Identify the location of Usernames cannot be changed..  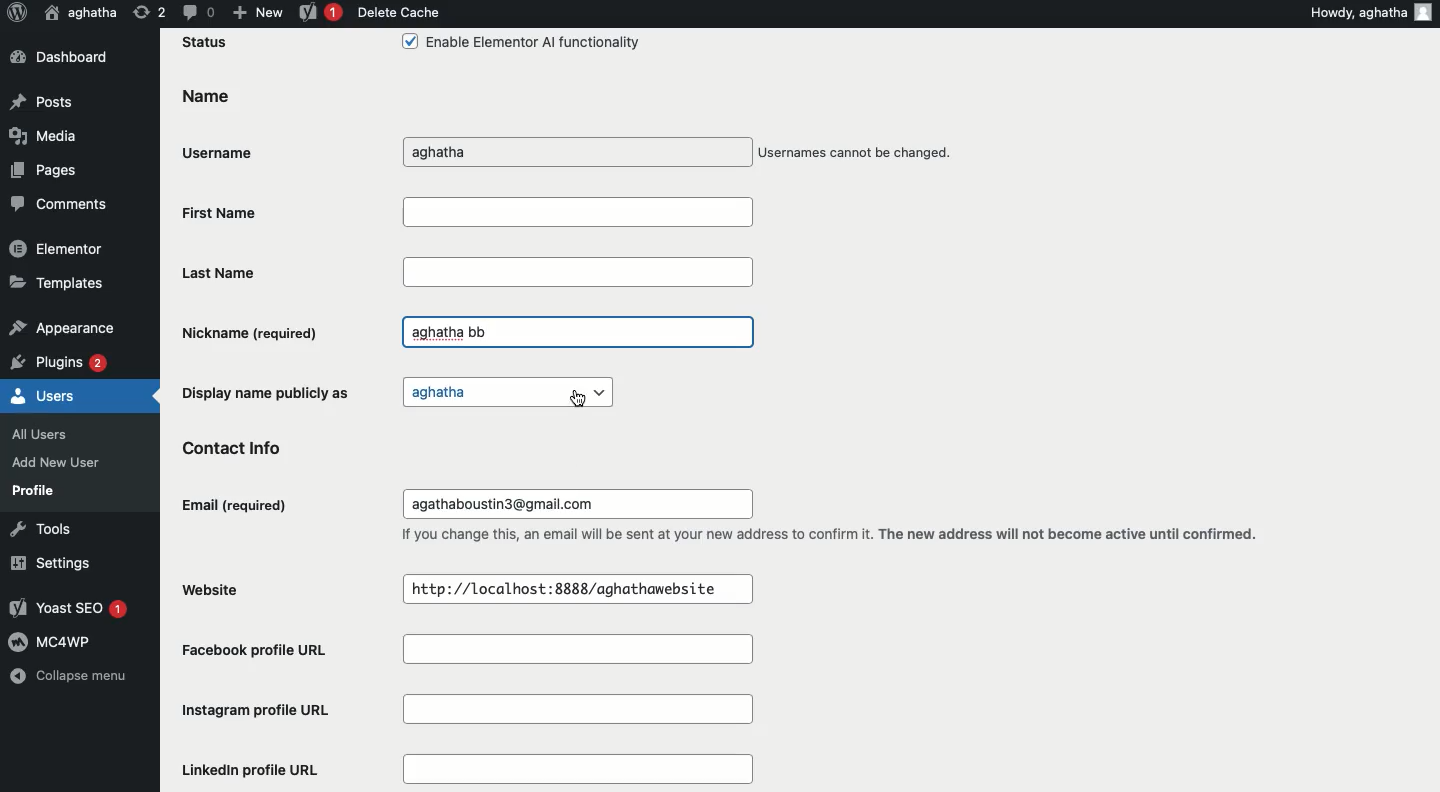
(857, 154).